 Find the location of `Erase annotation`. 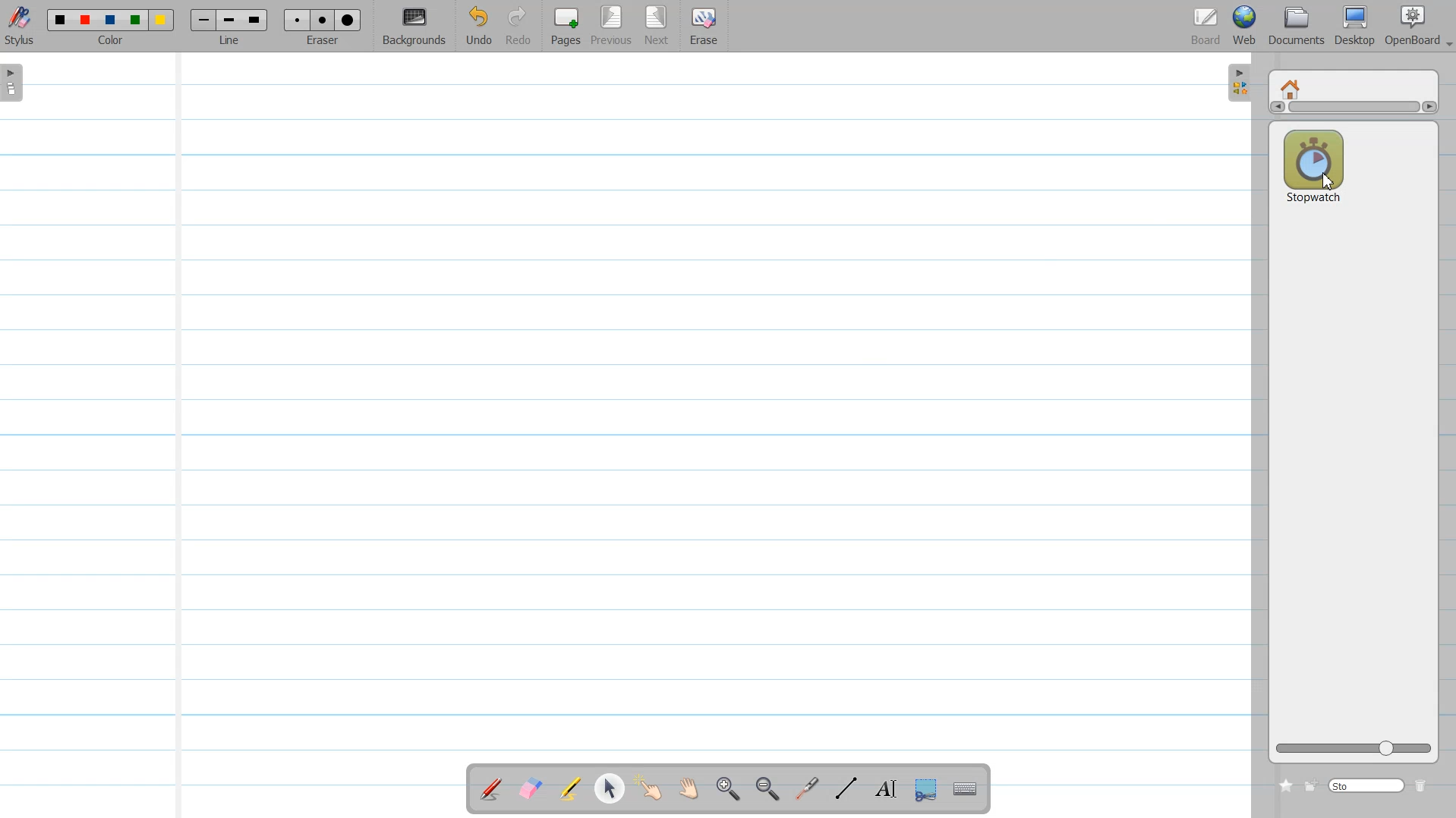

Erase annotation is located at coordinates (528, 788).